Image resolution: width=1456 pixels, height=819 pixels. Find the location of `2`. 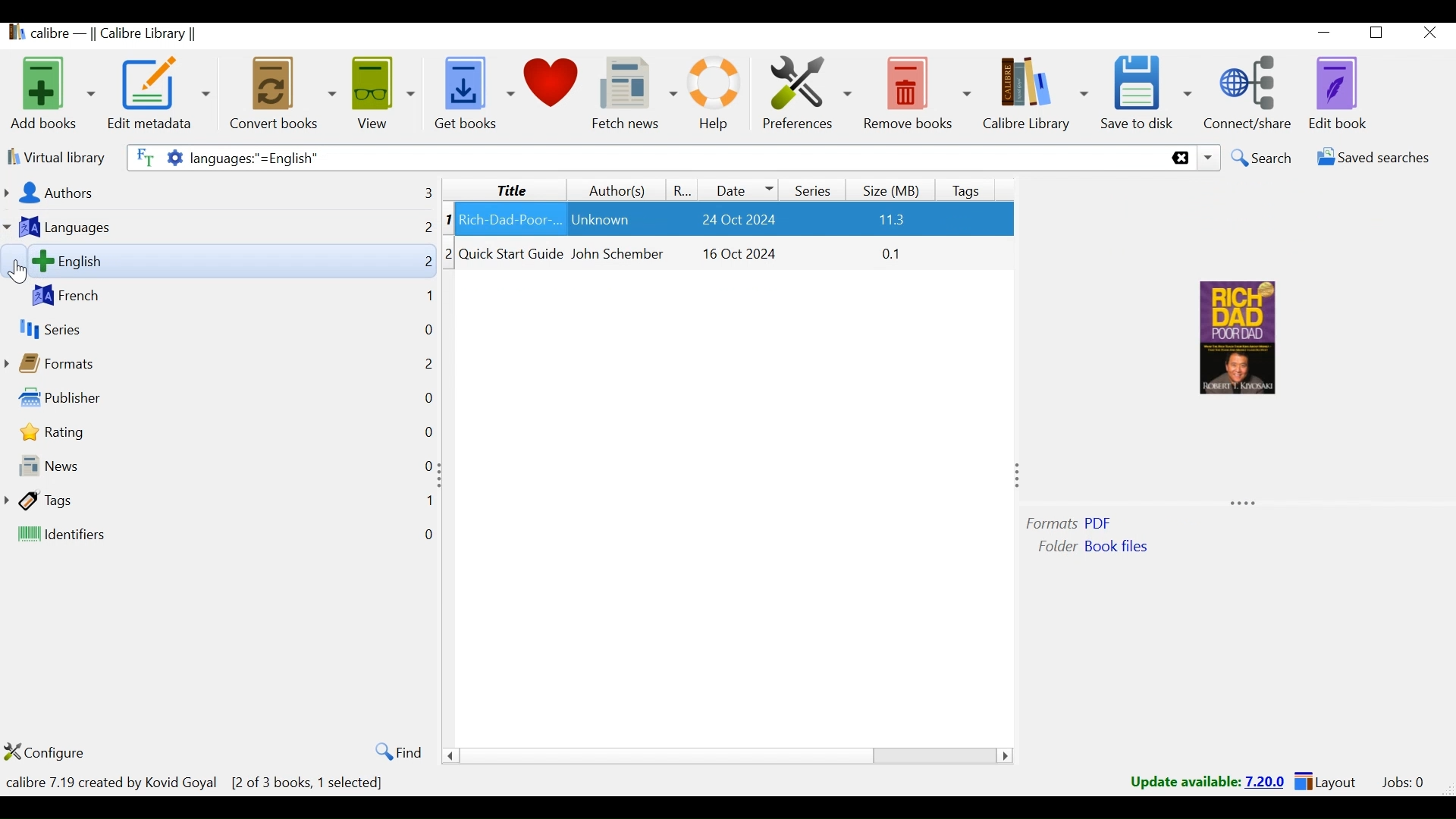

2 is located at coordinates (427, 231).